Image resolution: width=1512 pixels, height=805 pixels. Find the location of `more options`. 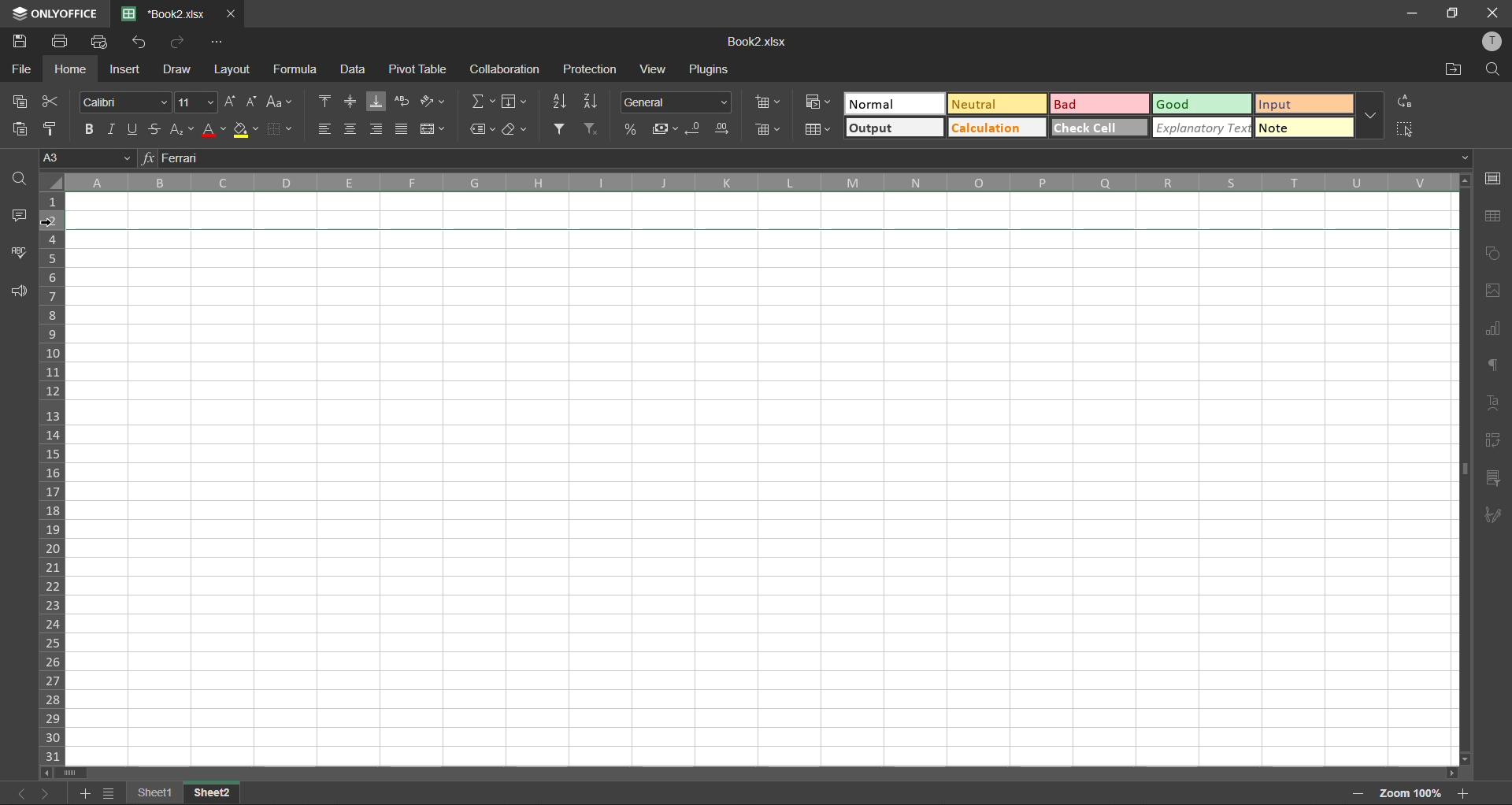

more options is located at coordinates (1368, 116).